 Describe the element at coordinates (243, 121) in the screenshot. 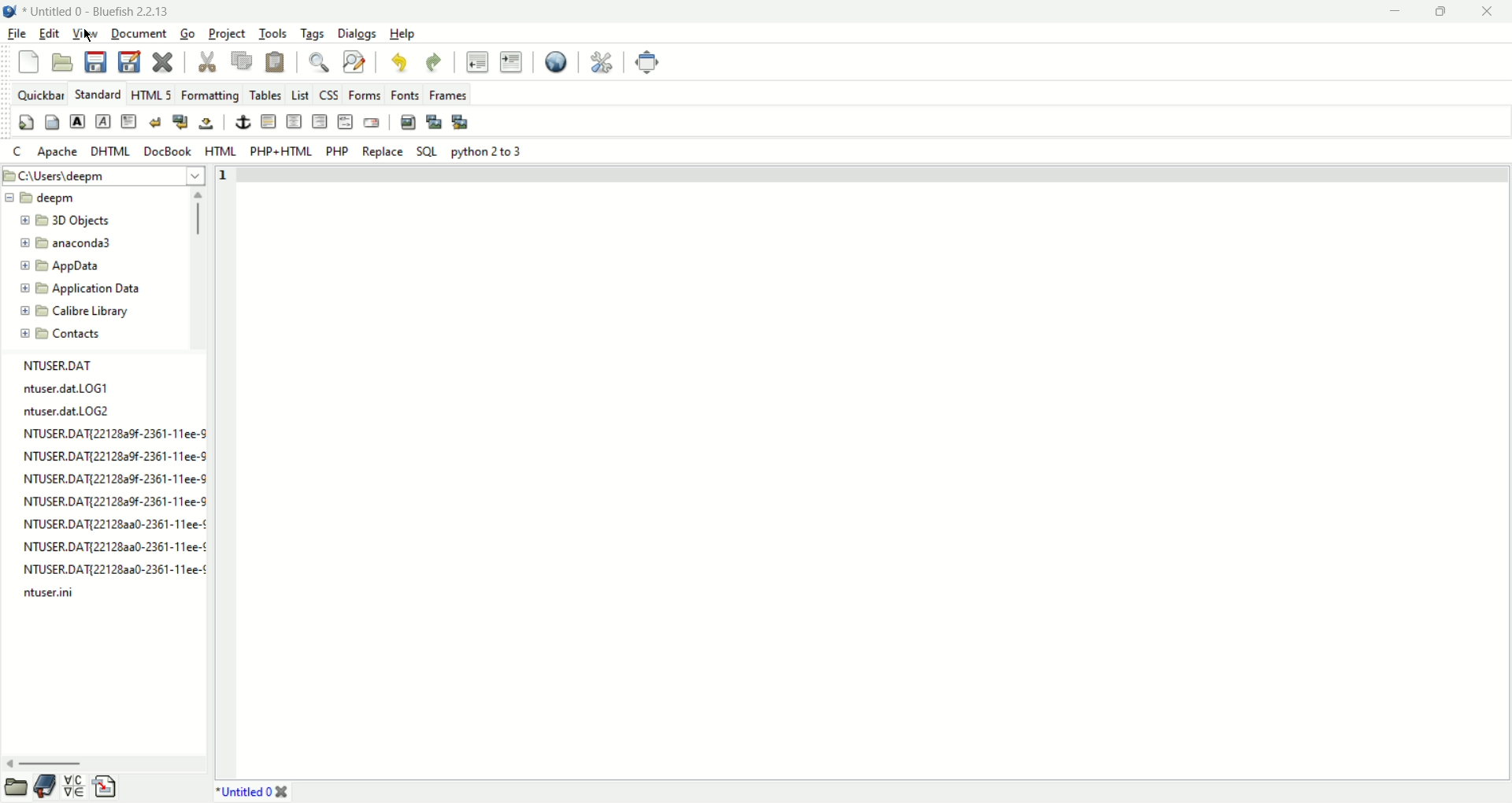

I see `anchor` at that location.